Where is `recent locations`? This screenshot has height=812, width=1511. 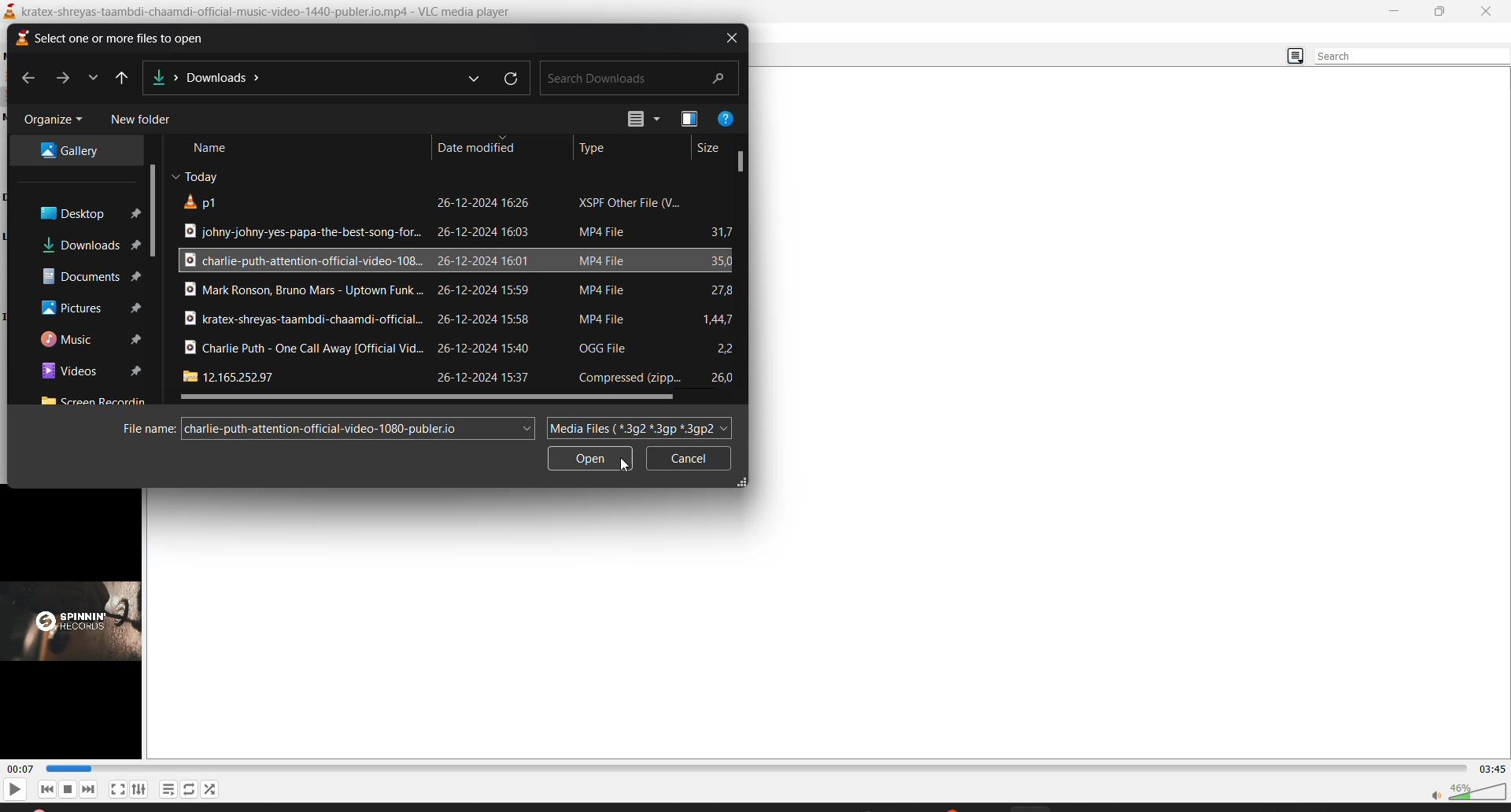 recent locations is located at coordinates (94, 79).